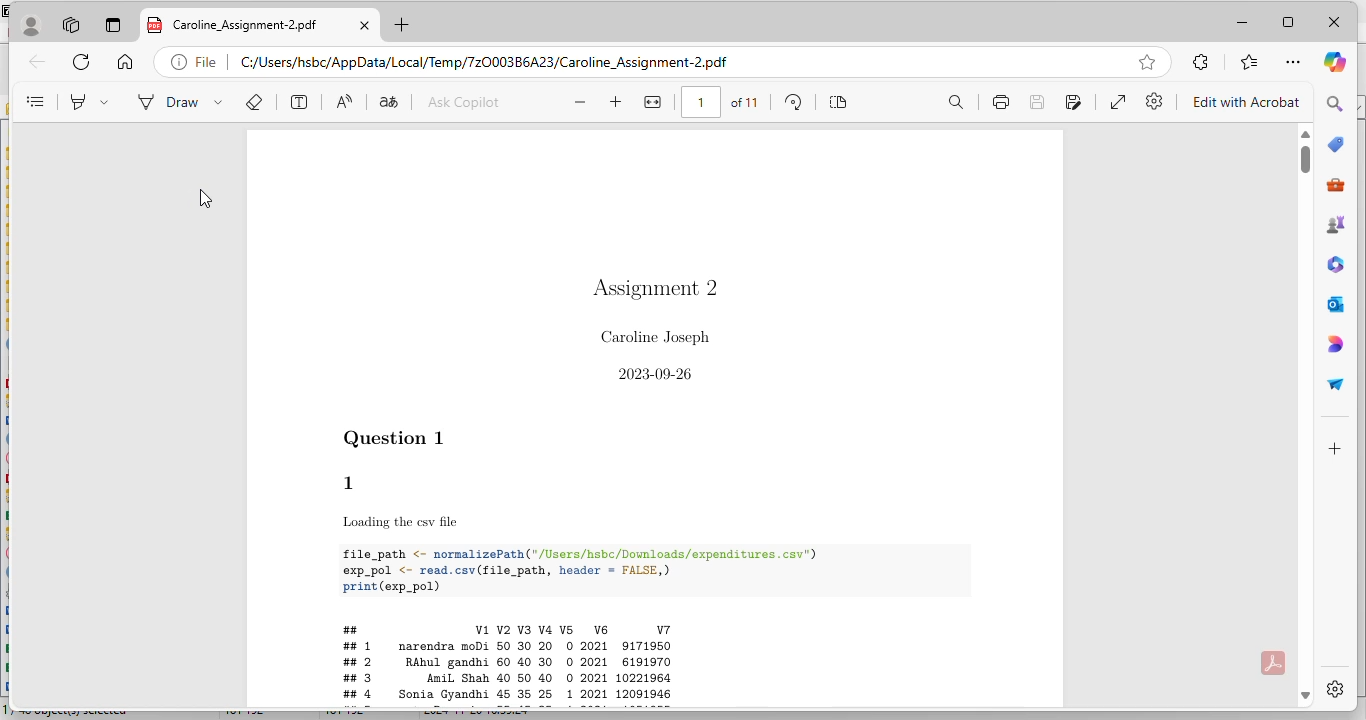 This screenshot has height=720, width=1366. What do you see at coordinates (1074, 101) in the screenshot?
I see `save as` at bounding box center [1074, 101].